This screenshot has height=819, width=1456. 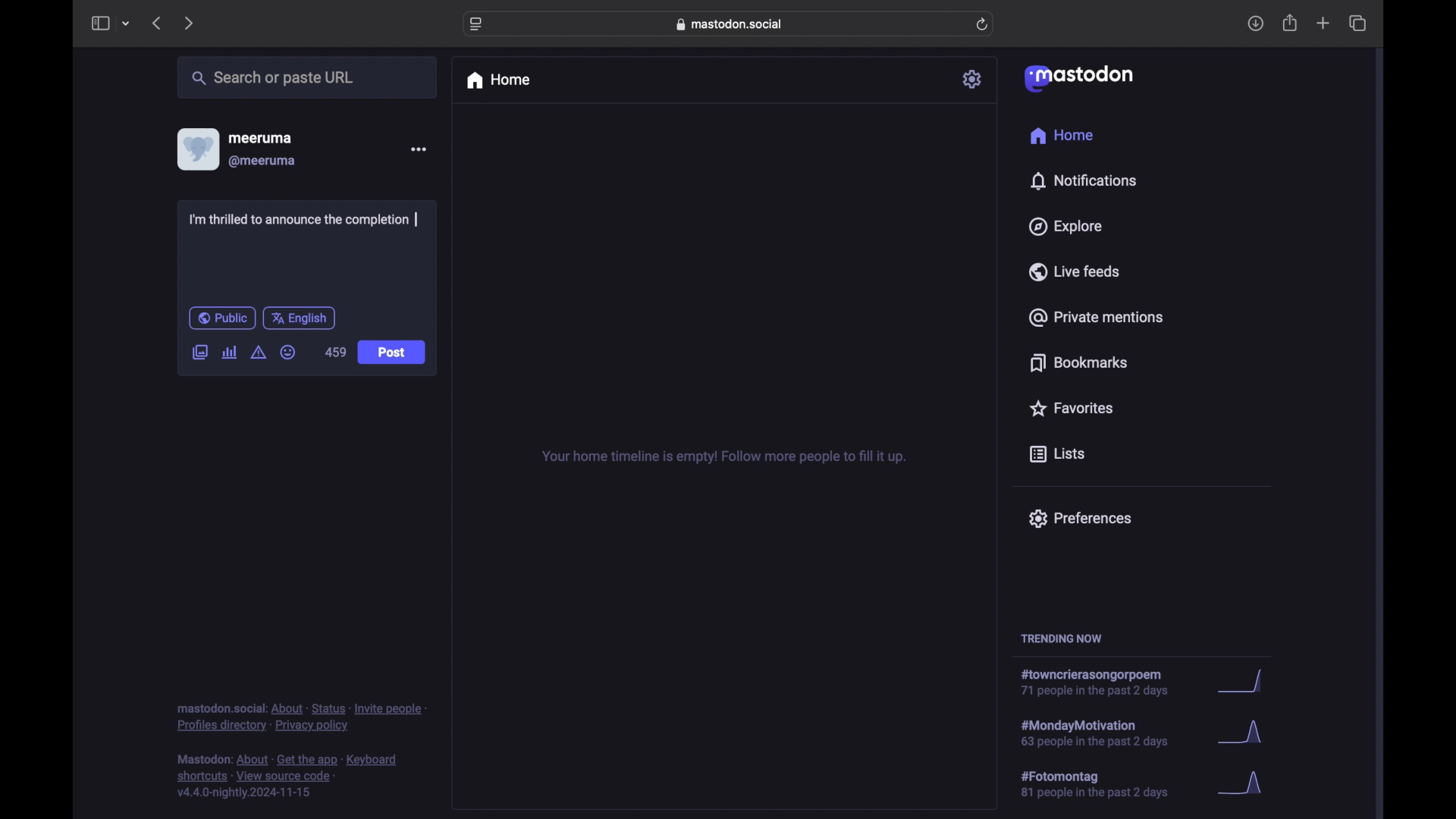 I want to click on bookmarks, so click(x=1081, y=362).